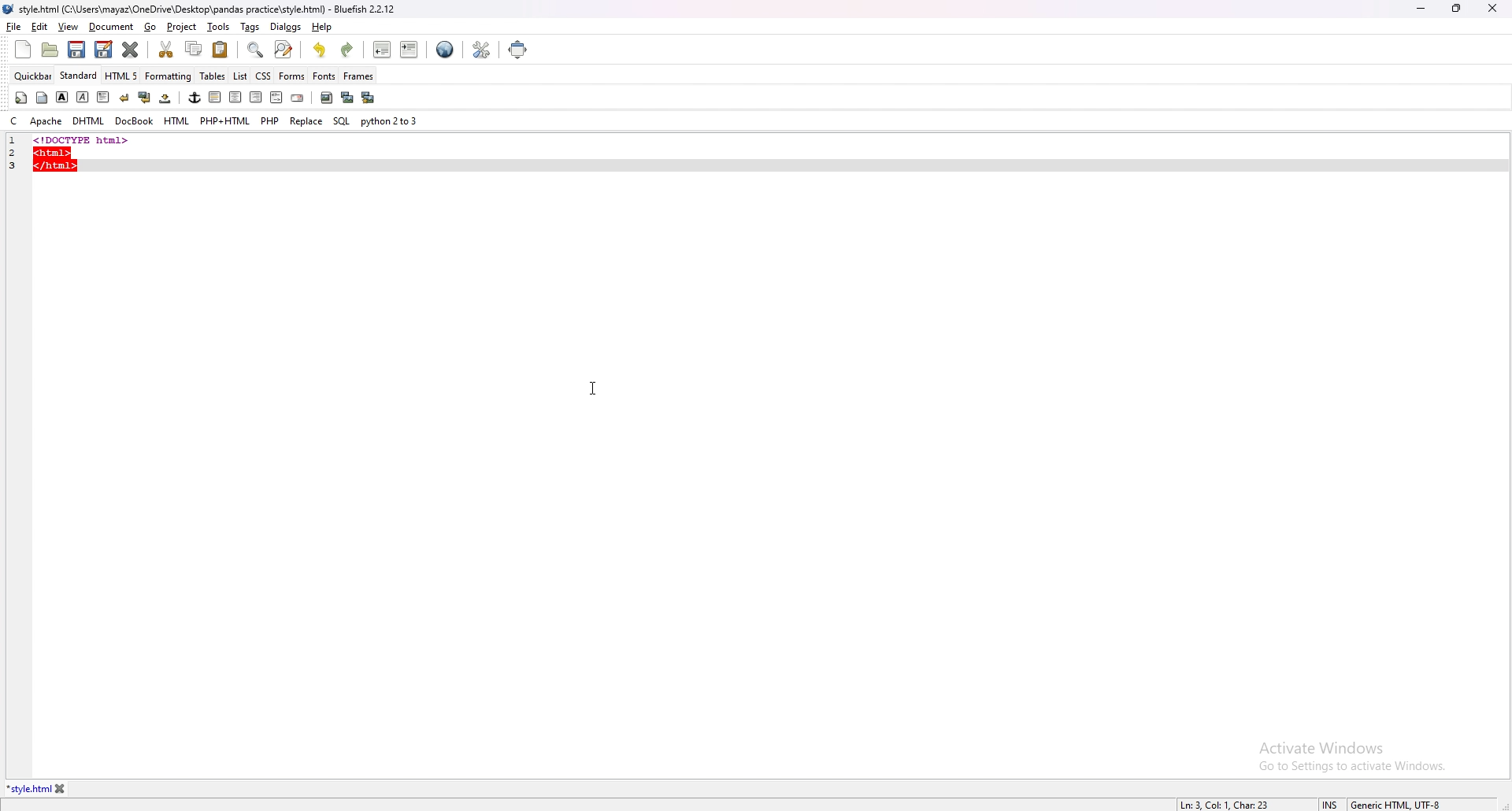 The height and width of the screenshot is (811, 1512). What do you see at coordinates (219, 27) in the screenshot?
I see `tools` at bounding box center [219, 27].